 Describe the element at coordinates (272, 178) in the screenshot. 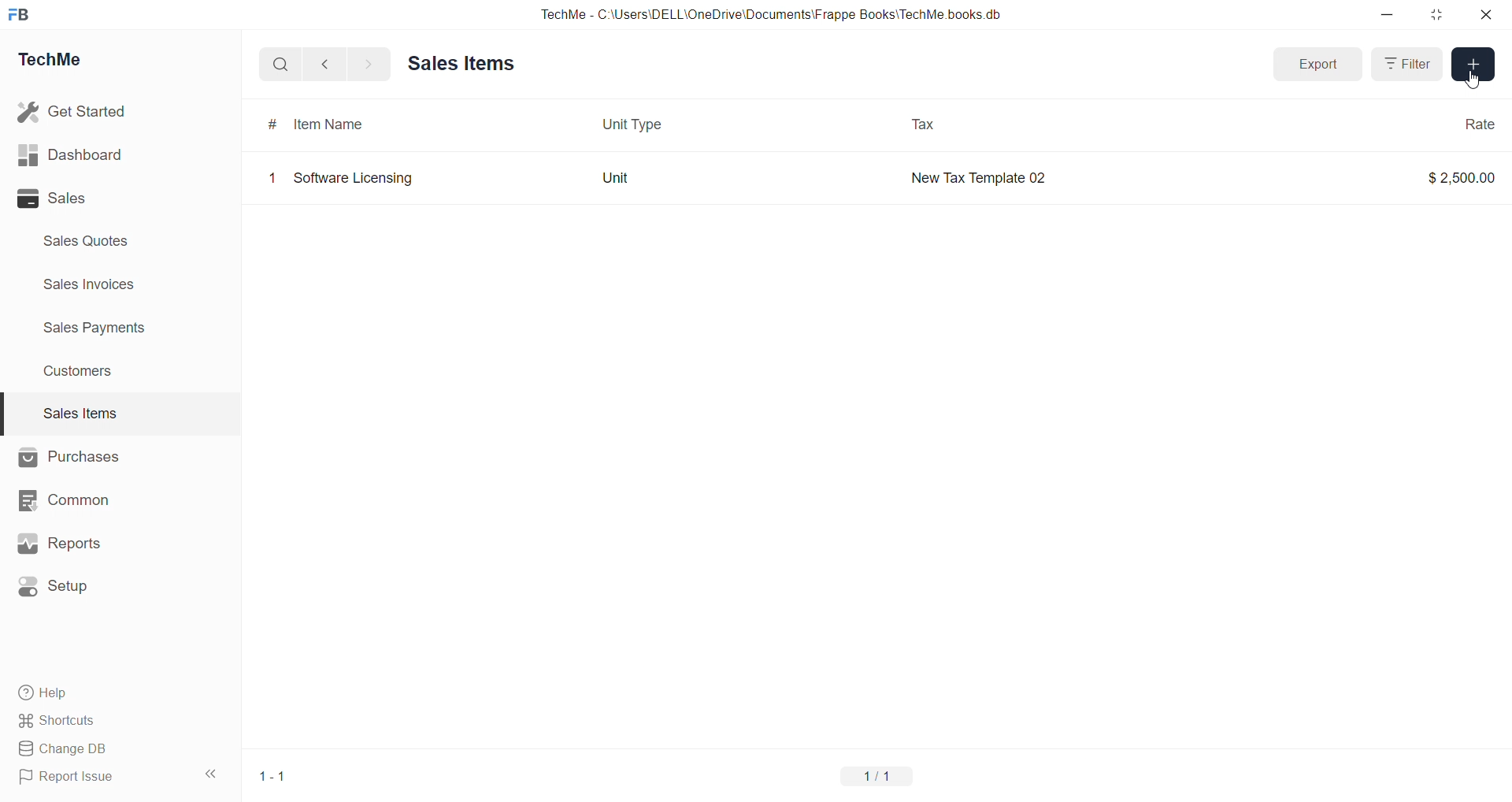

I see `1` at that location.